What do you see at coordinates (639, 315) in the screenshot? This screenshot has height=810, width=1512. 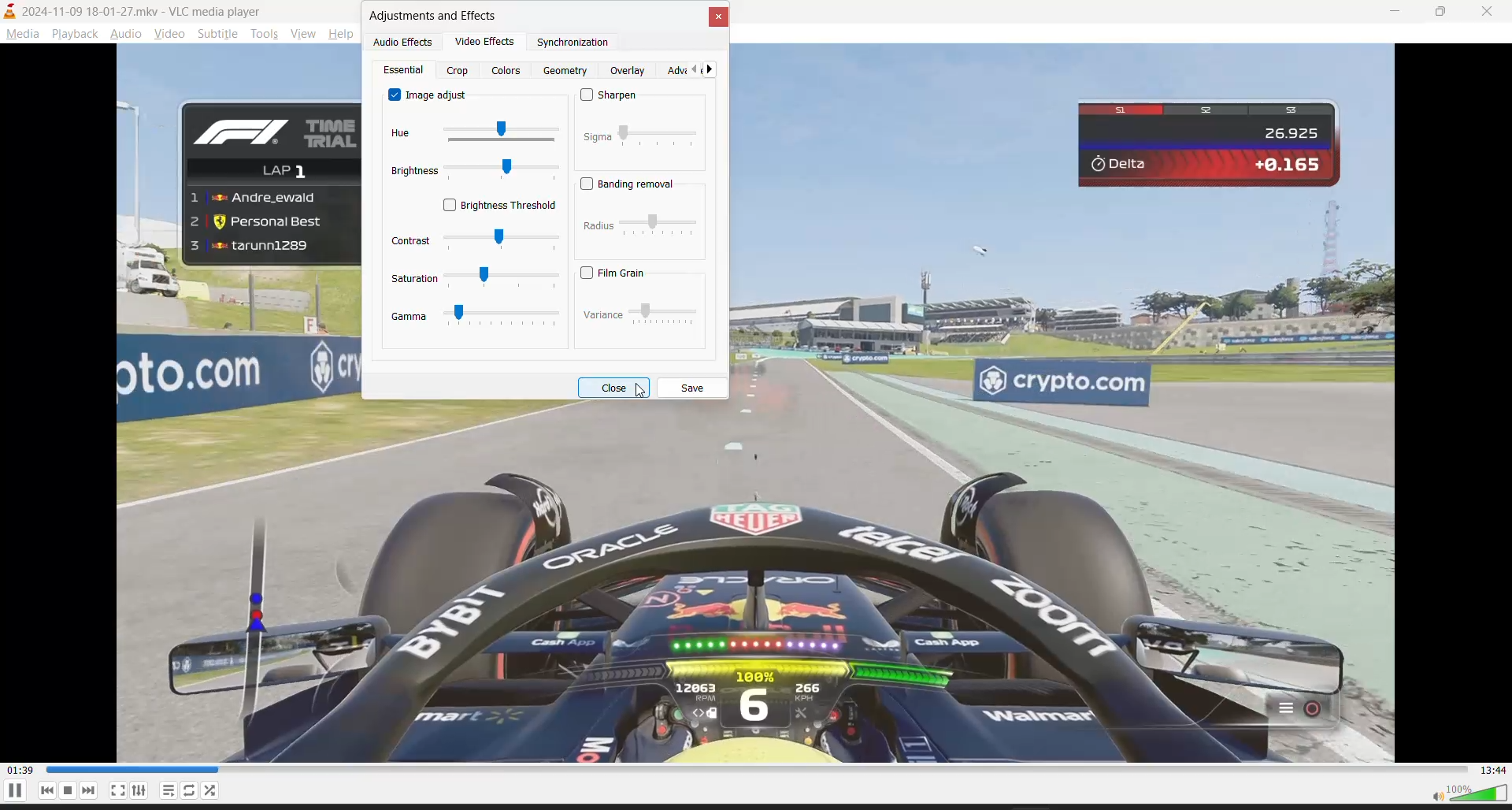 I see `variance` at bounding box center [639, 315].